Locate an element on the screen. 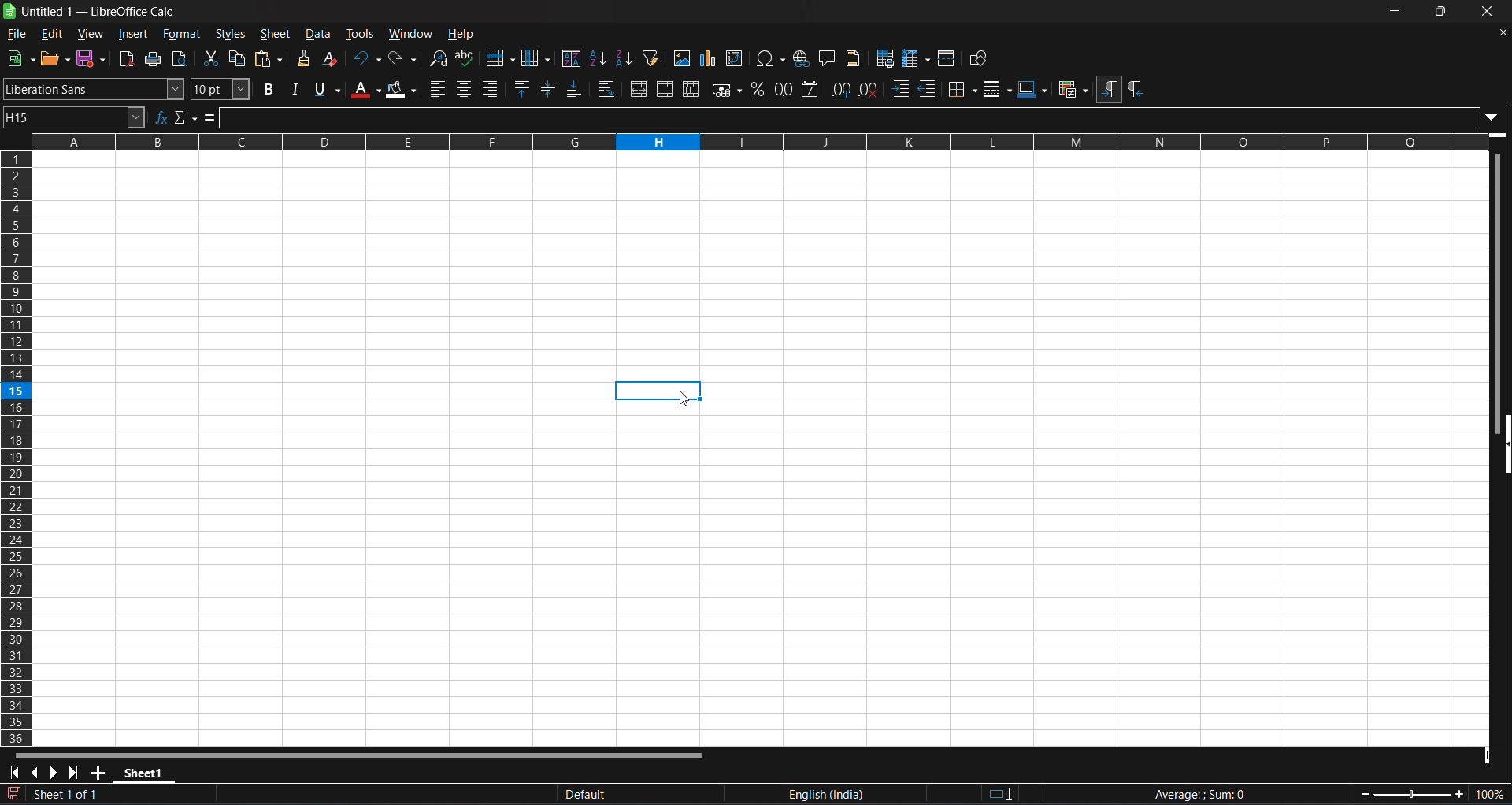  underlinr is located at coordinates (328, 89).